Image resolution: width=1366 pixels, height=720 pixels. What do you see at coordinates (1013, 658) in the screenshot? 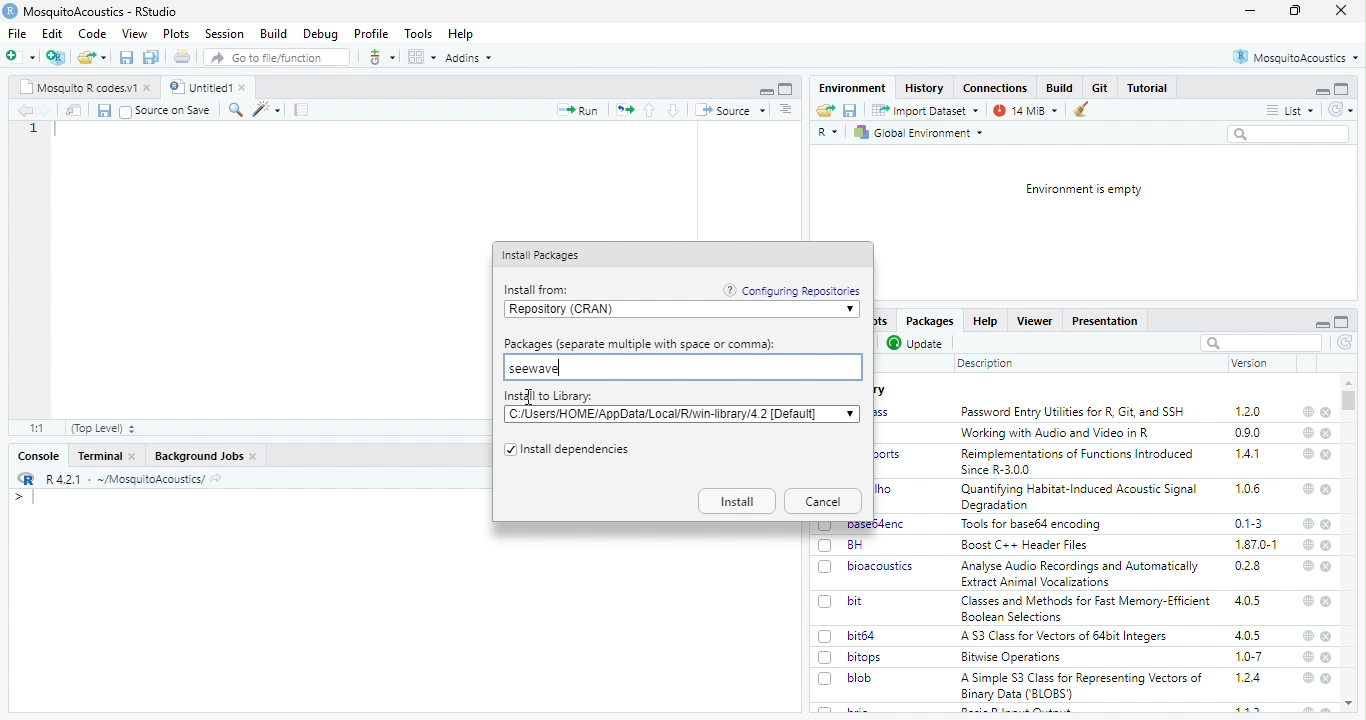
I see `Bitwise Operations` at bounding box center [1013, 658].